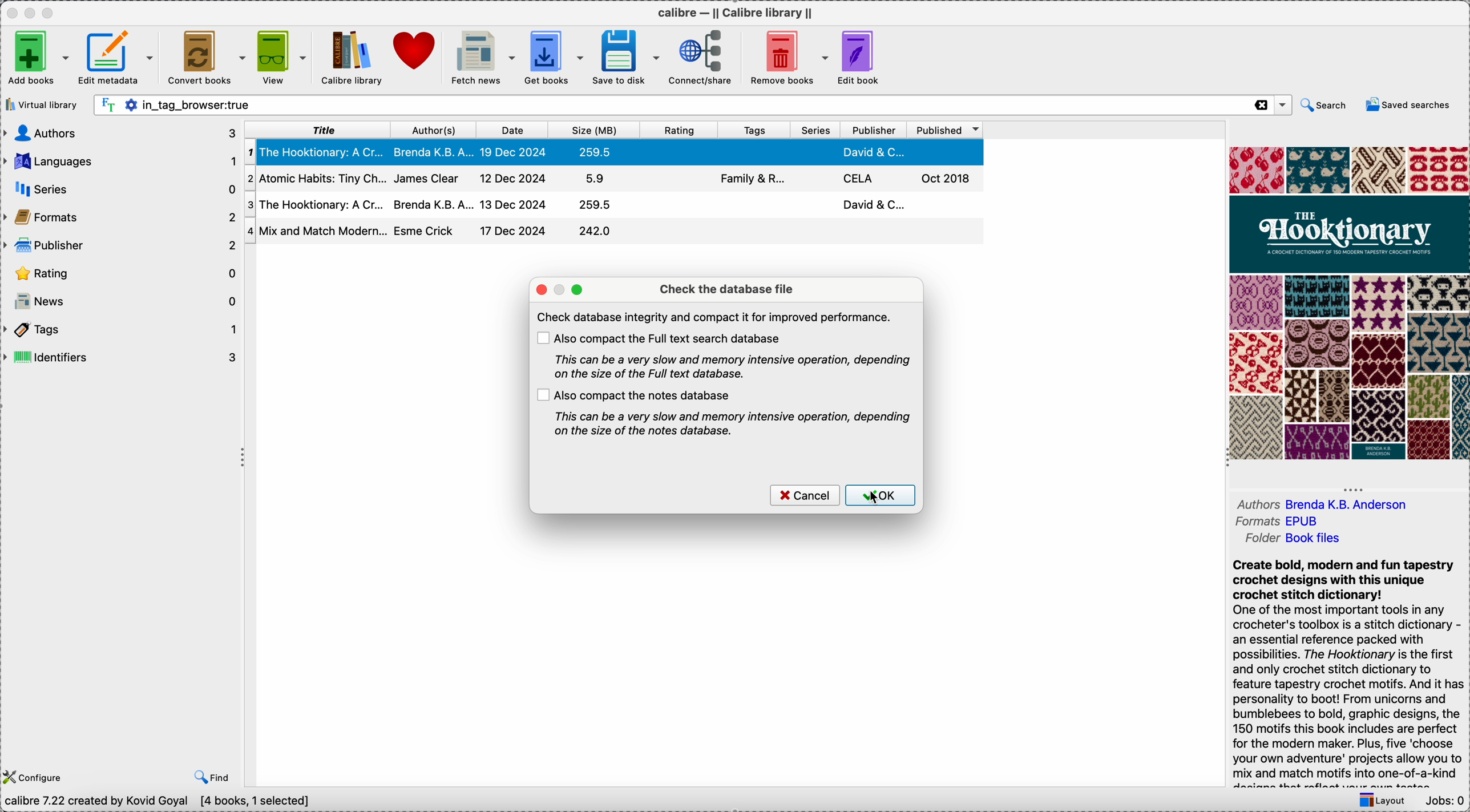 This screenshot has width=1470, height=812. What do you see at coordinates (1282, 522) in the screenshot?
I see `formats` at bounding box center [1282, 522].